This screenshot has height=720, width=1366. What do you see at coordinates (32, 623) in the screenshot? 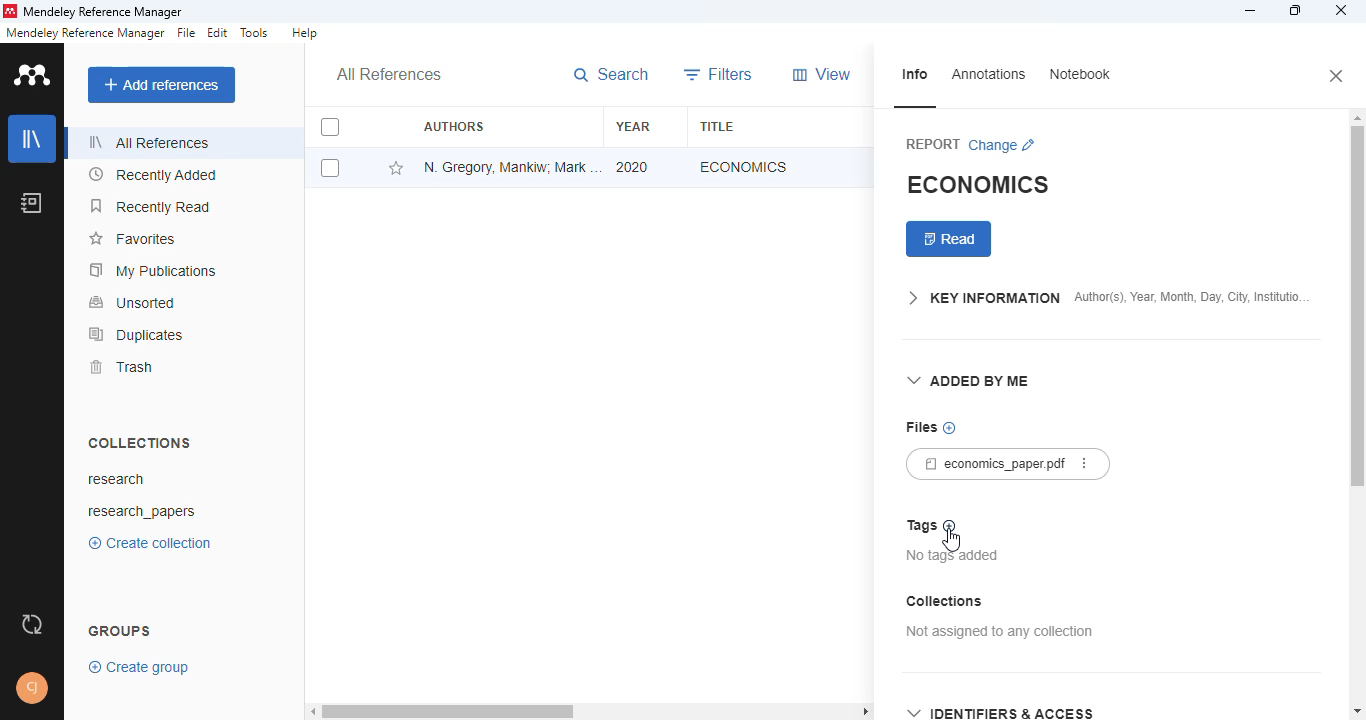
I see `sync` at bounding box center [32, 623].